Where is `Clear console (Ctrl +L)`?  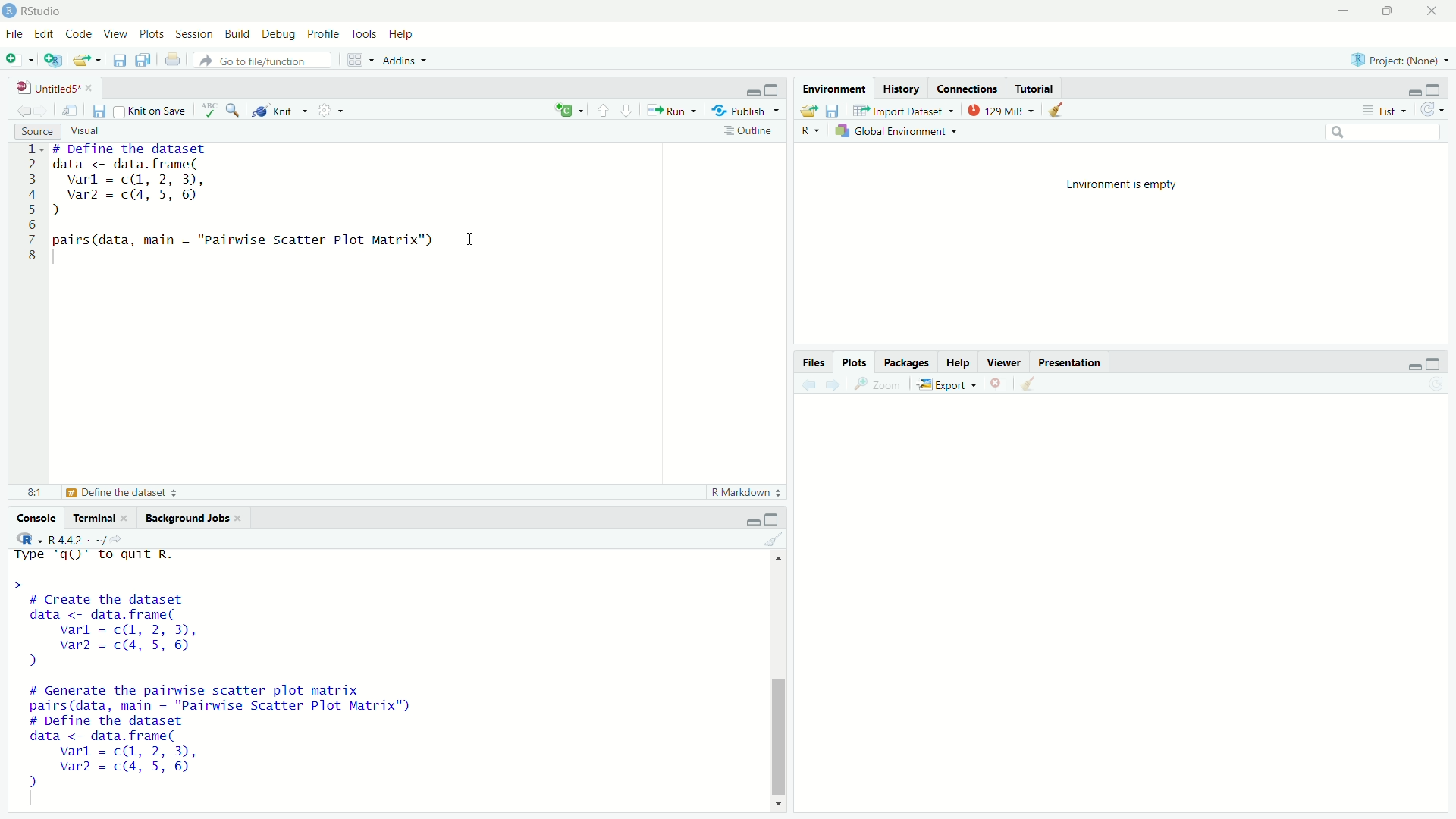
Clear console (Ctrl +L) is located at coordinates (1026, 383).